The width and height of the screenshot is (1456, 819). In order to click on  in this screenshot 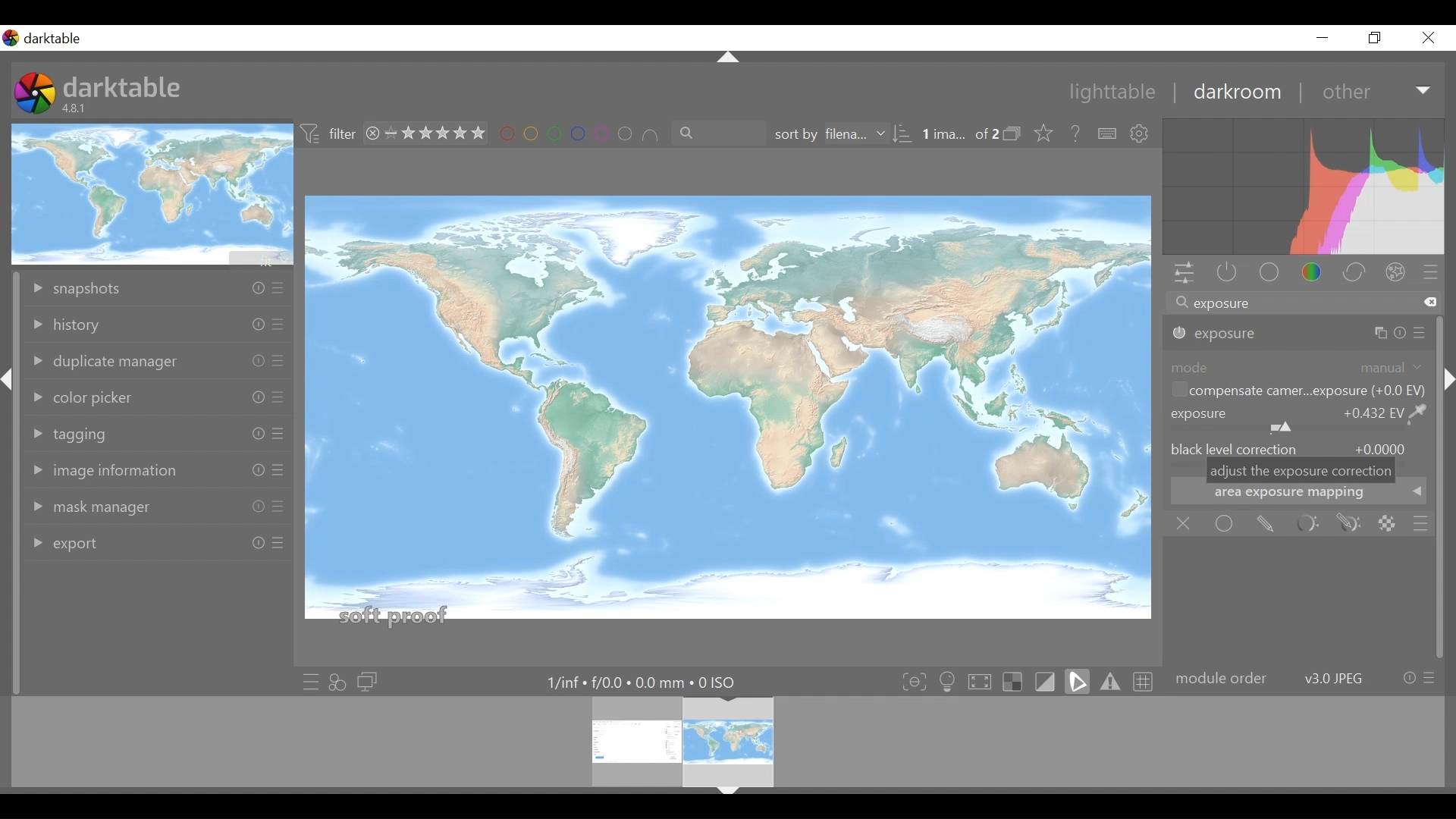, I will do `click(253, 507)`.